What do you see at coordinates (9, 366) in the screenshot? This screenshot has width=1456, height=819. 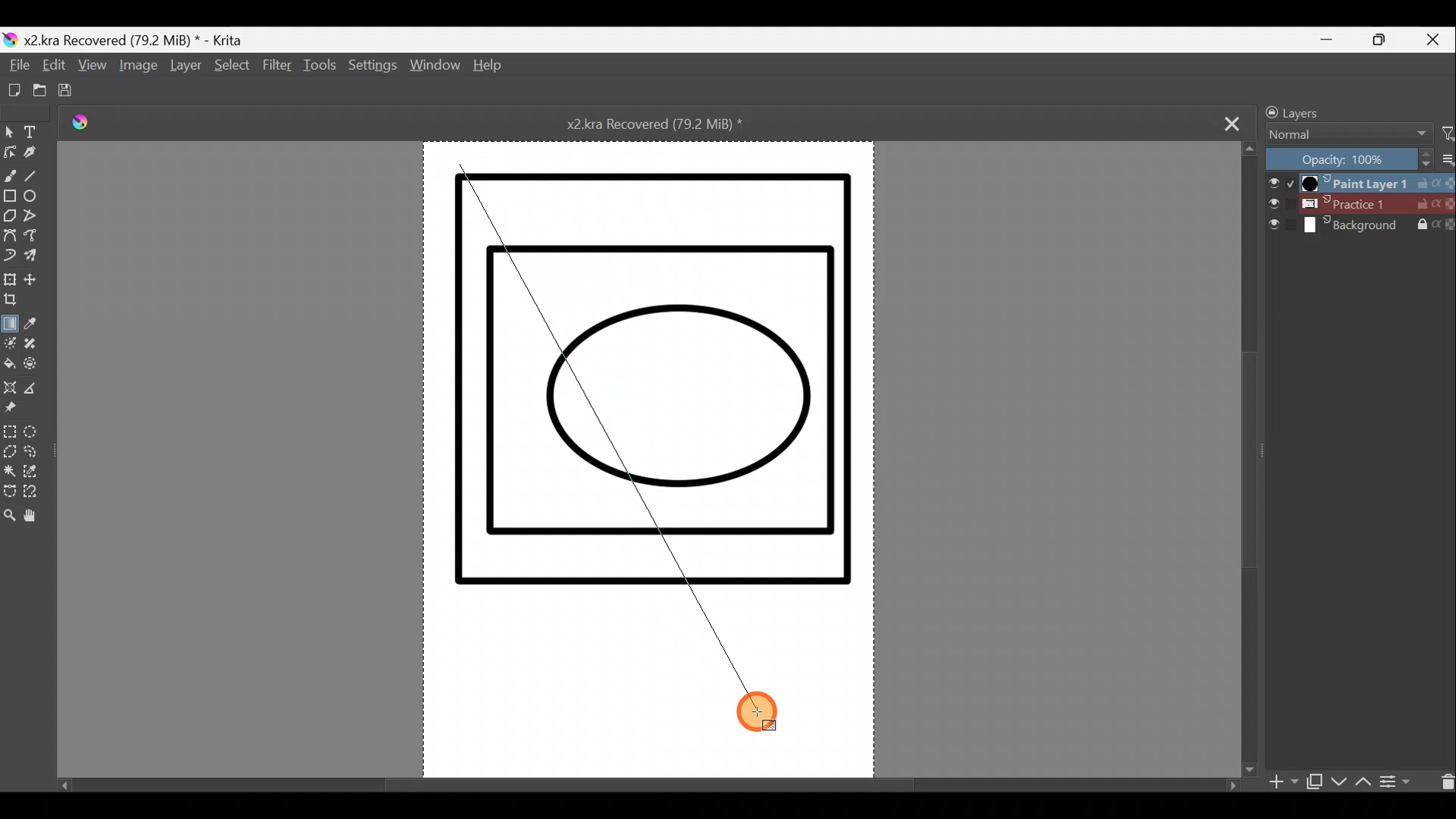 I see `Fill a contiguous area of colour with colour/fill a selection` at bounding box center [9, 366].